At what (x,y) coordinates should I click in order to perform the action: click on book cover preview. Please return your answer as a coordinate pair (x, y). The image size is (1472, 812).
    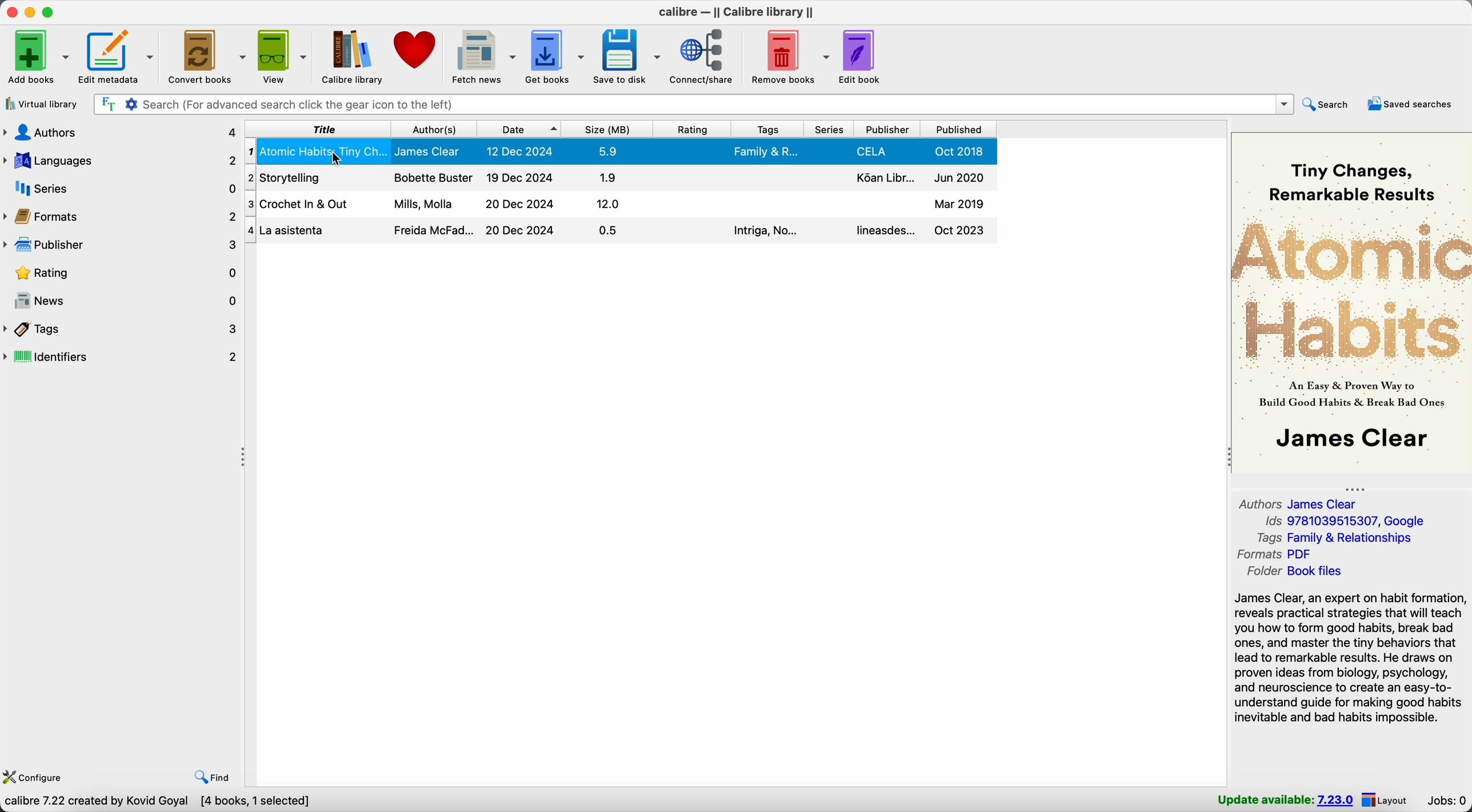
    Looking at the image, I should click on (1351, 302).